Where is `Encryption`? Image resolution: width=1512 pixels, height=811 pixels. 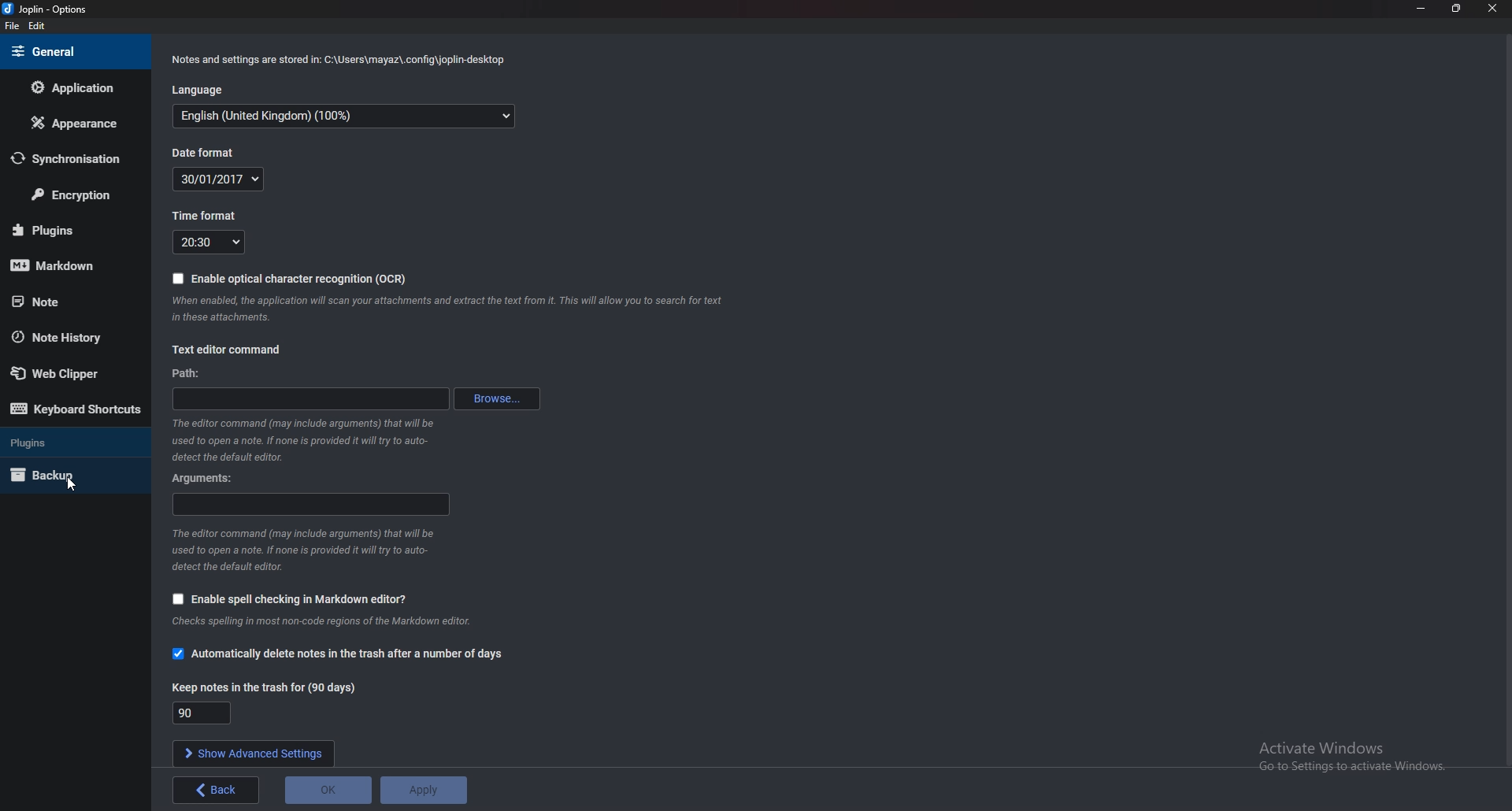 Encryption is located at coordinates (73, 194).